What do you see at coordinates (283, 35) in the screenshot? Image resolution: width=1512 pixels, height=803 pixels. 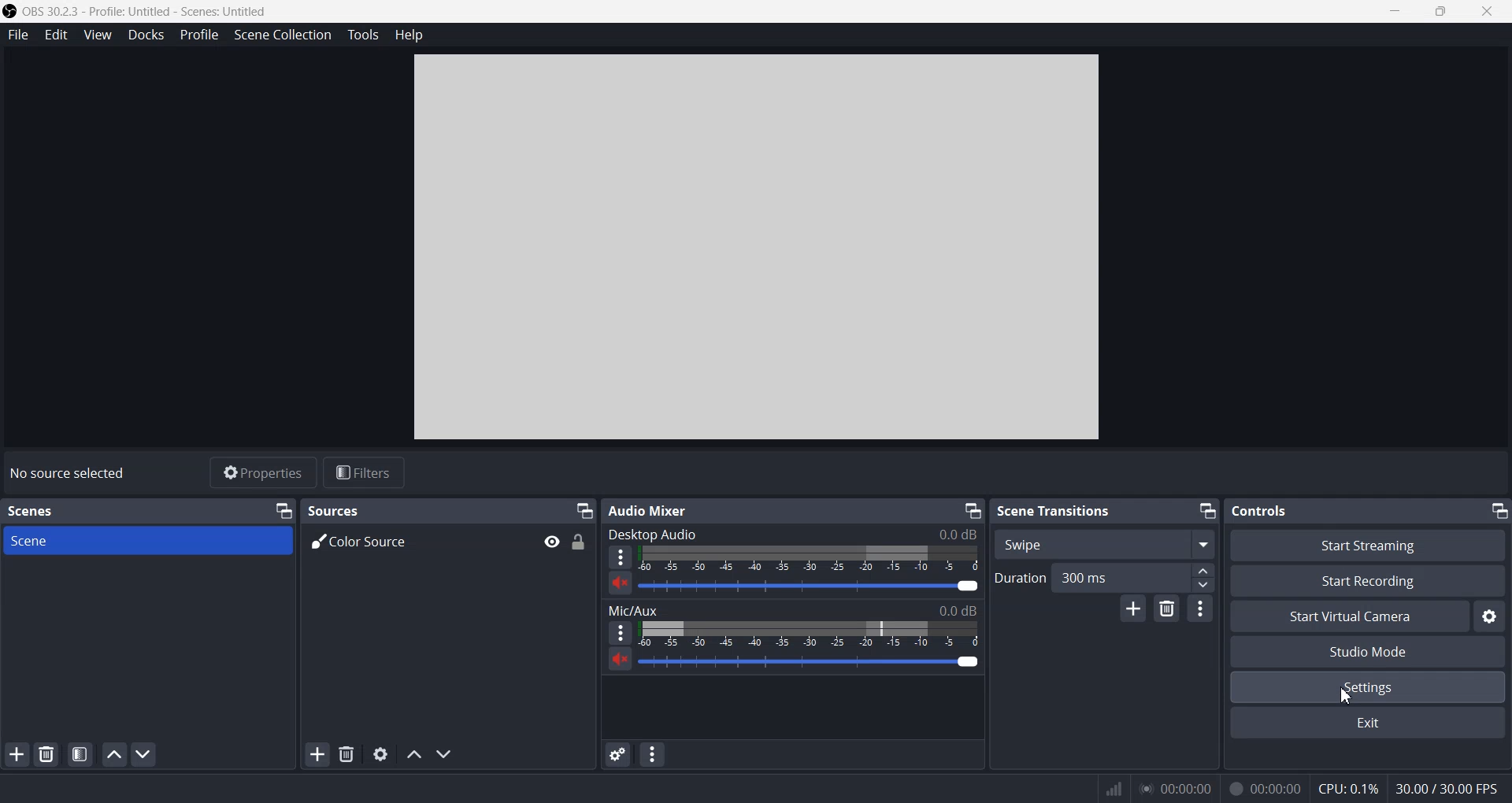 I see `Scene Collection` at bounding box center [283, 35].